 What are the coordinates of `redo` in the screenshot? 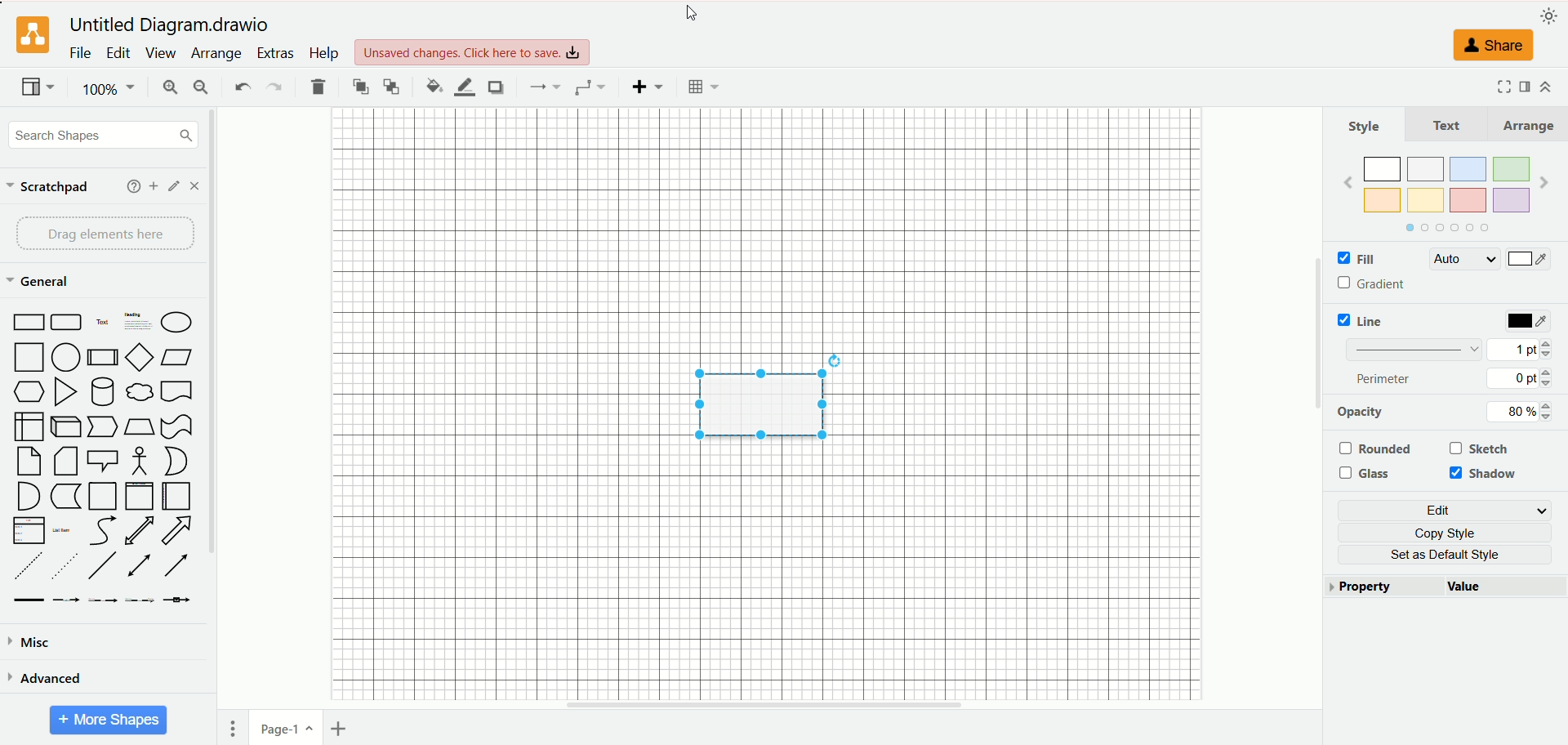 It's located at (273, 88).